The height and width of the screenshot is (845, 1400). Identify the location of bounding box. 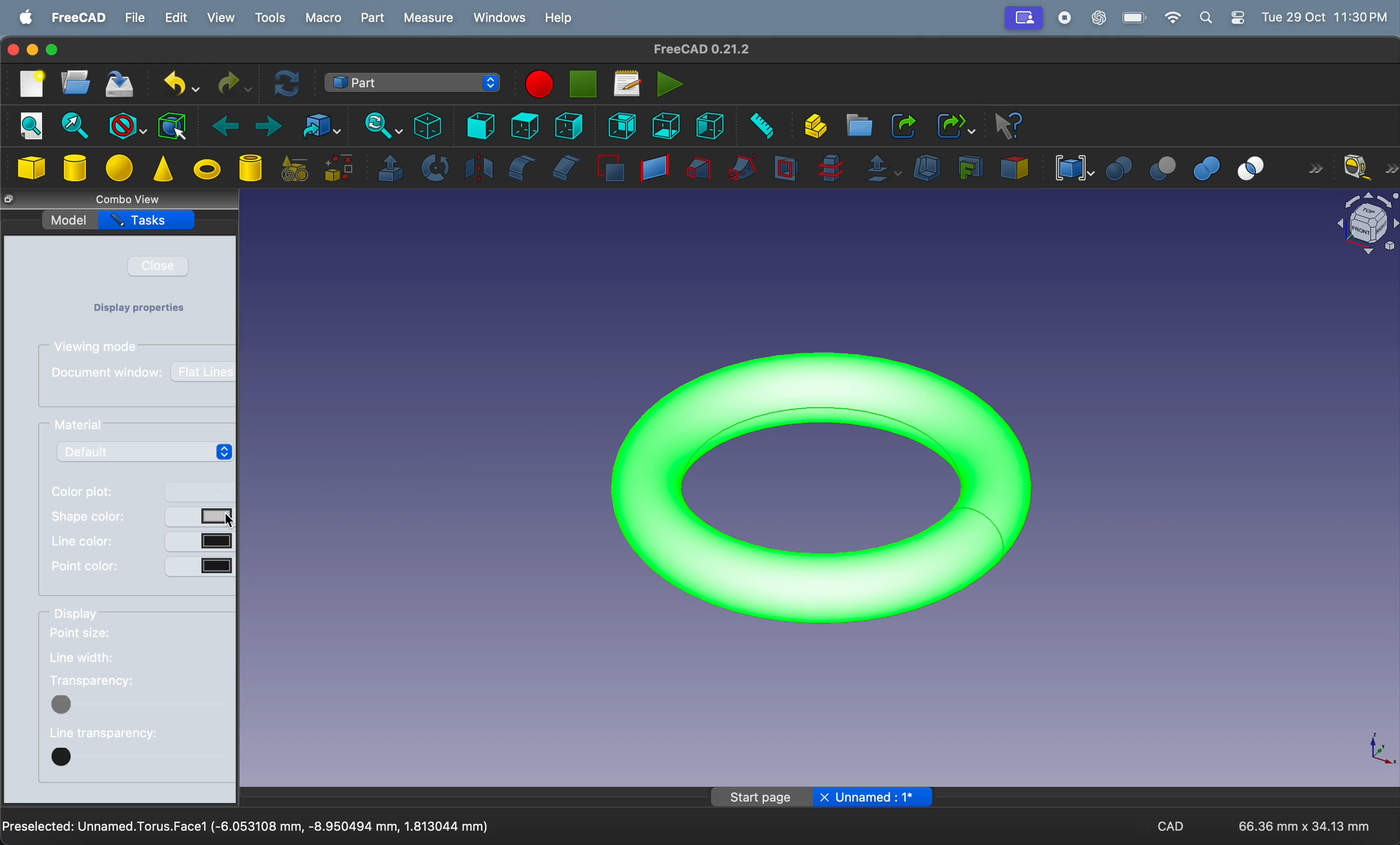
(173, 125).